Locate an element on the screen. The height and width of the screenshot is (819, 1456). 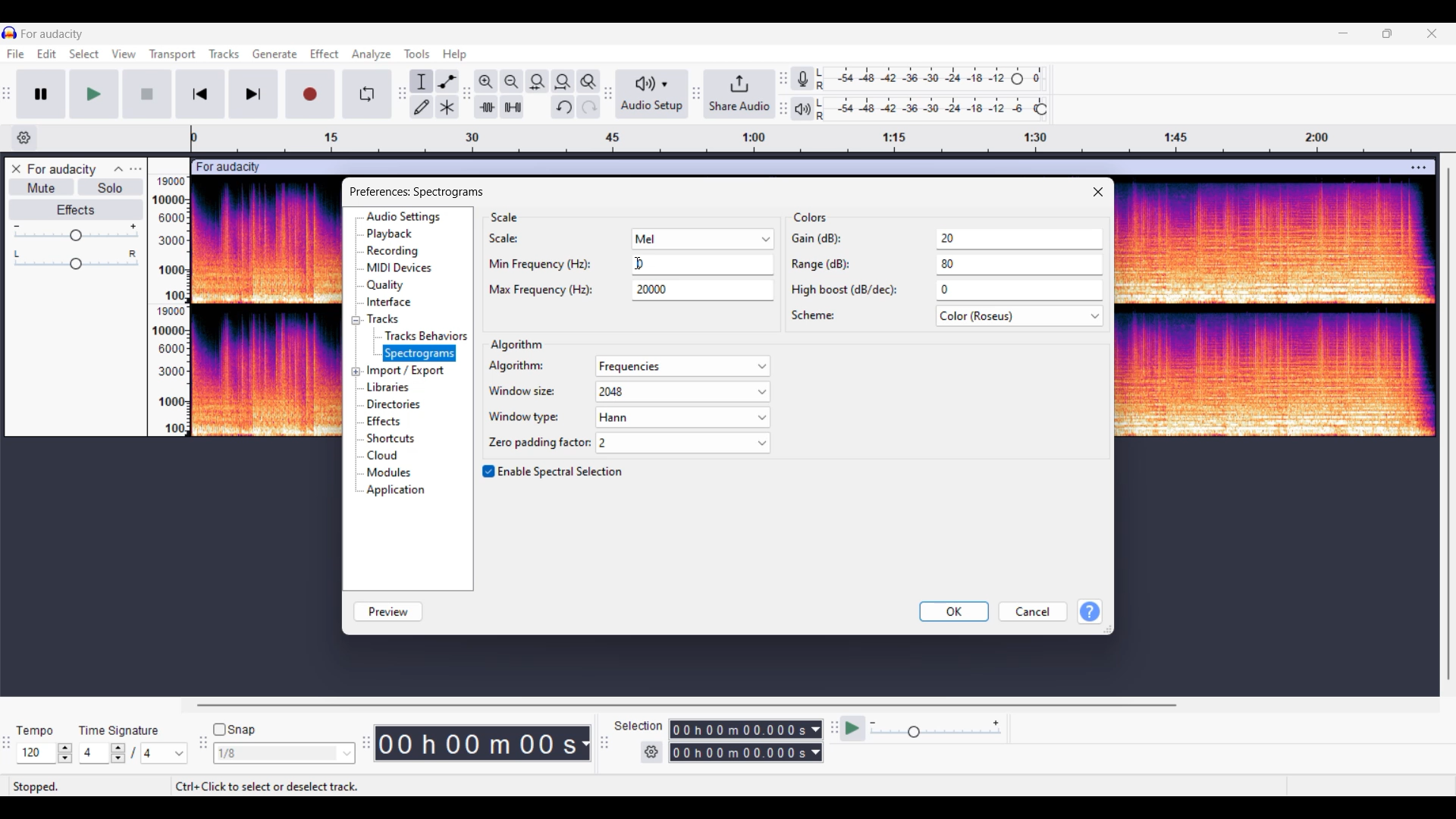
Multi tool is located at coordinates (447, 107).